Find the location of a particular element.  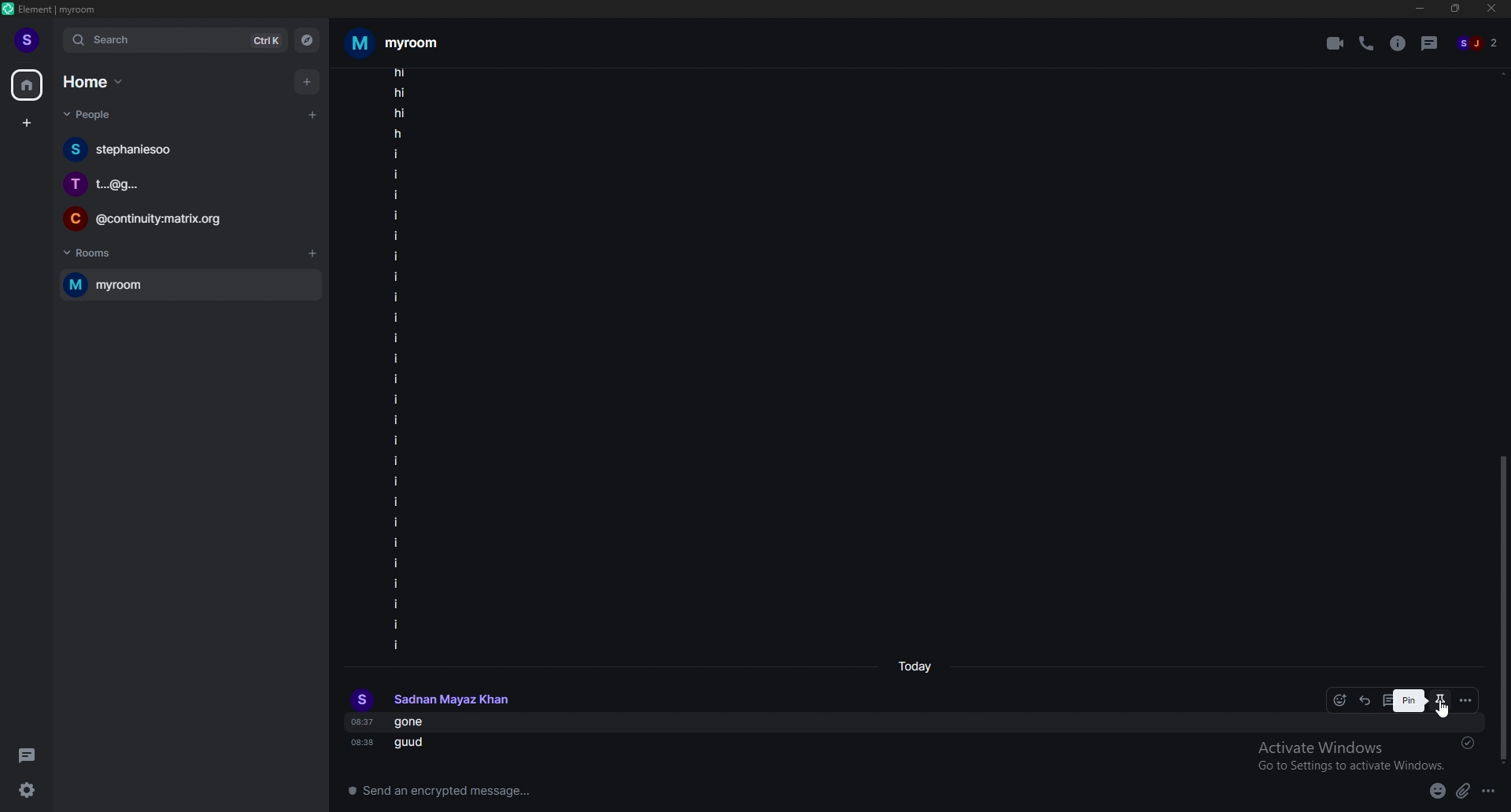

message box is located at coordinates (864, 793).